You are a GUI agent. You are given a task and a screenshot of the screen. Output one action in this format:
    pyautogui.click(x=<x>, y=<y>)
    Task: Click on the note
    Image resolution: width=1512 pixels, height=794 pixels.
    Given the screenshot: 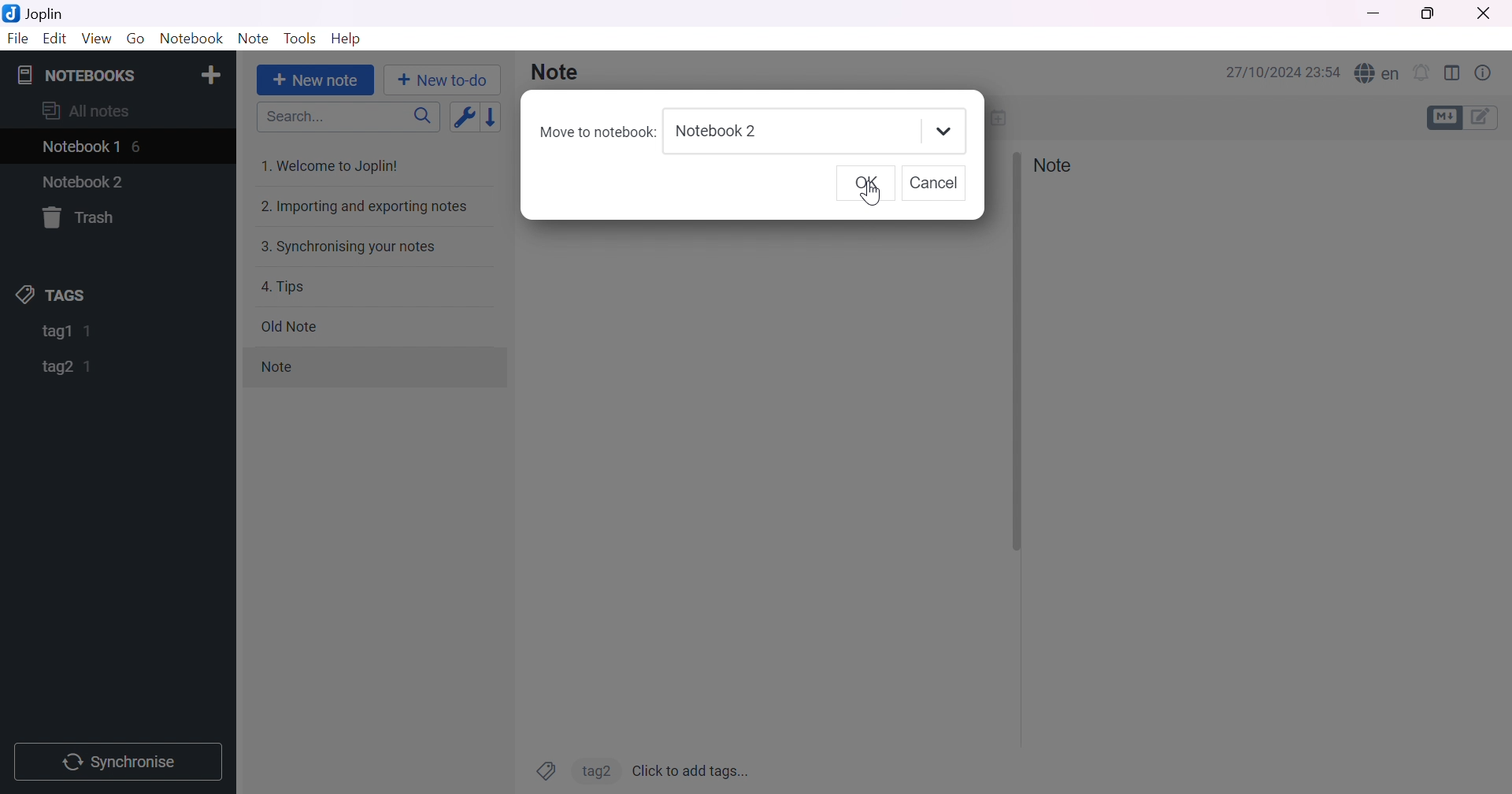 What is the action you would take?
    pyautogui.click(x=298, y=368)
    